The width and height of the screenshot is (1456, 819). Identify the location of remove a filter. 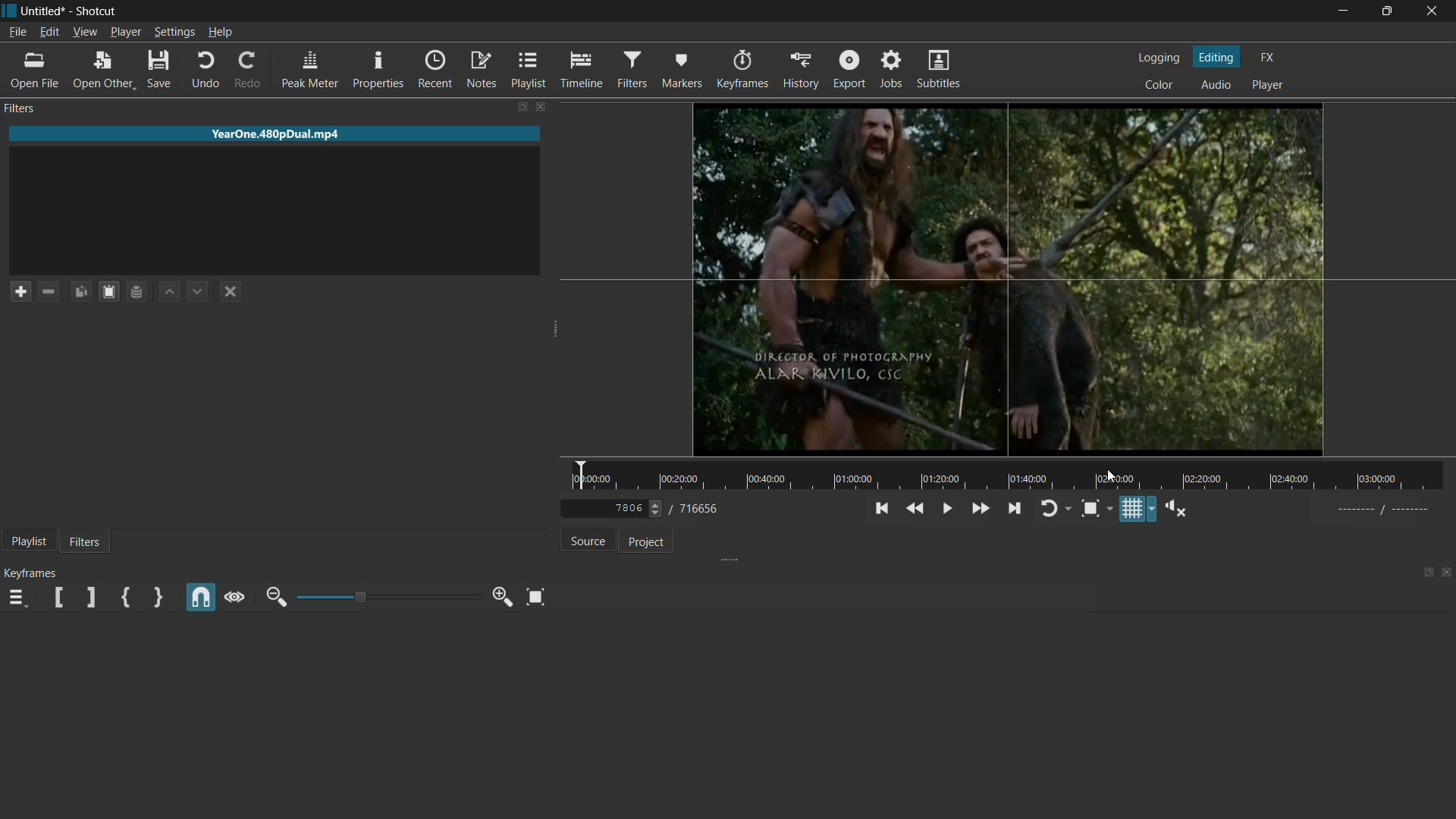
(48, 290).